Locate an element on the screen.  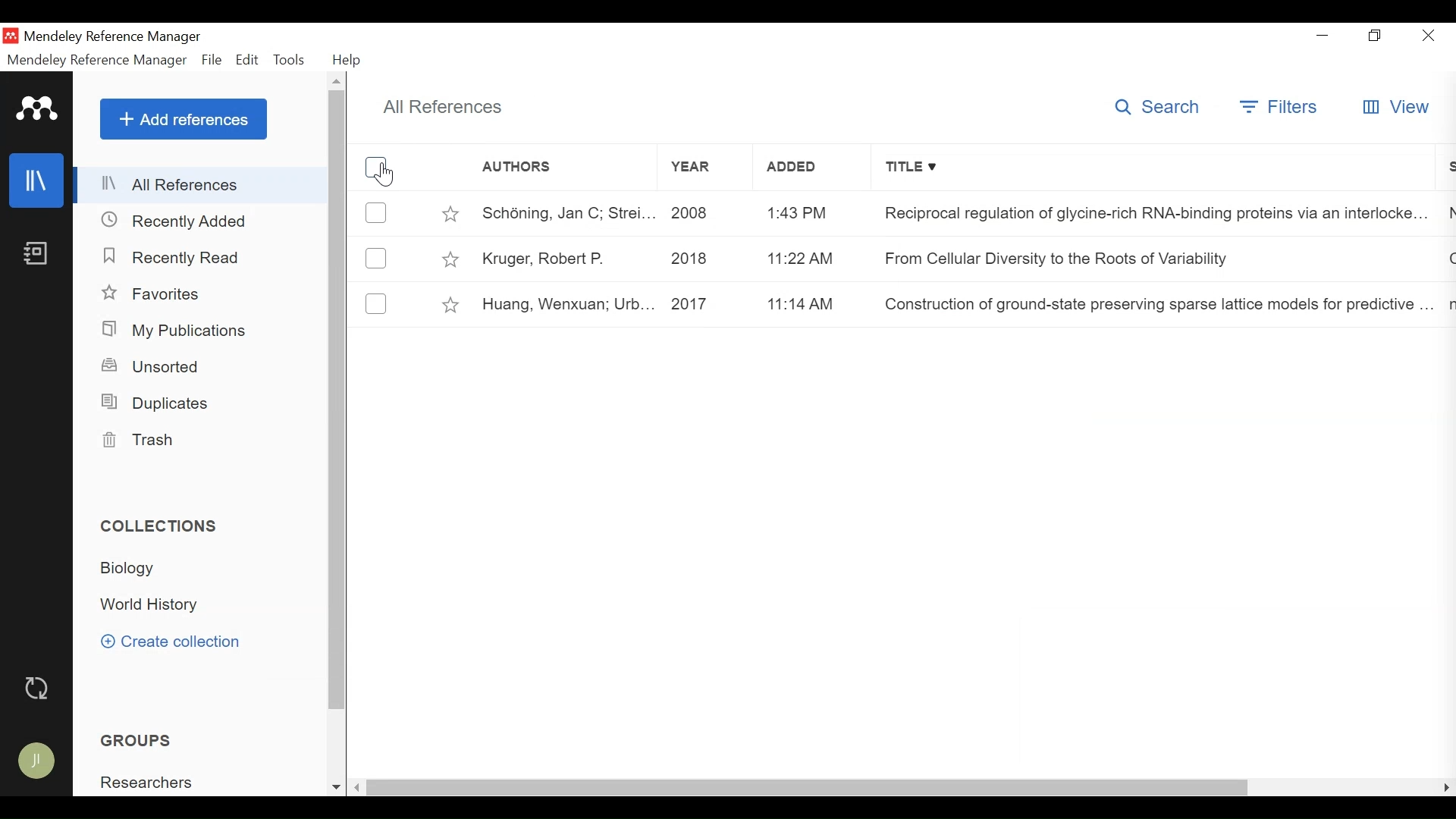
Add Reference is located at coordinates (183, 119).